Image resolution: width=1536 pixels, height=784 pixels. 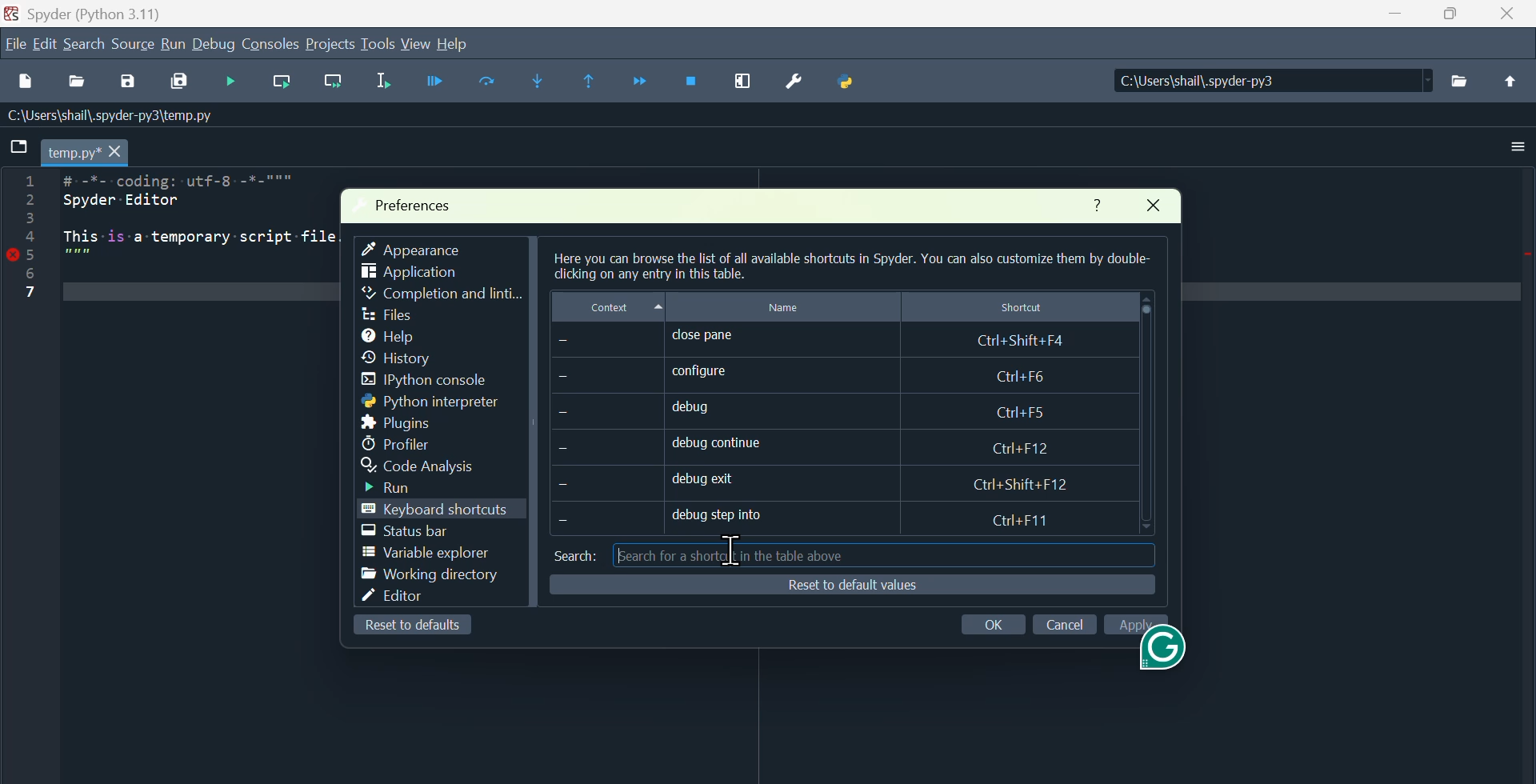 What do you see at coordinates (845, 585) in the screenshot?
I see `Reset to default values` at bounding box center [845, 585].